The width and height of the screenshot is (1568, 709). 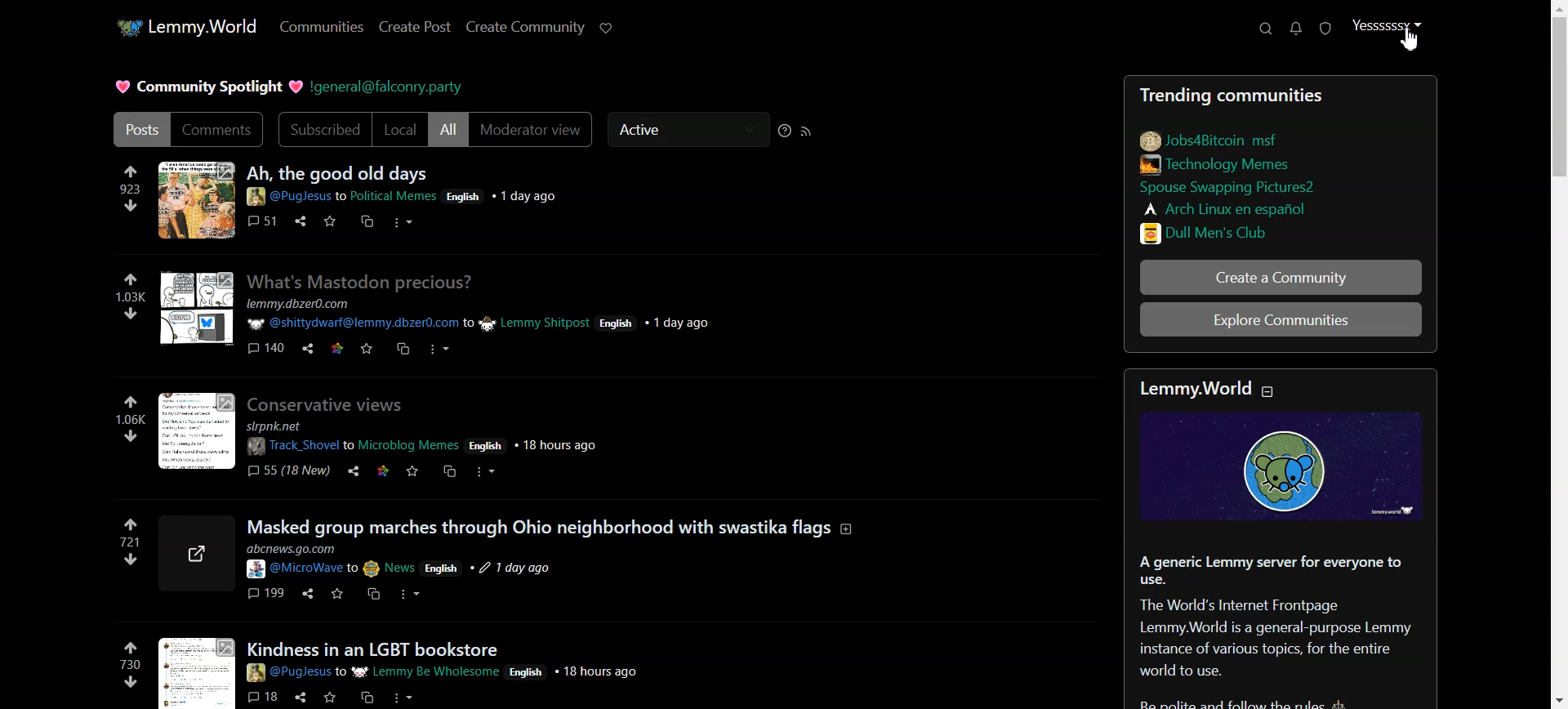 I want to click on comments, so click(x=286, y=469).